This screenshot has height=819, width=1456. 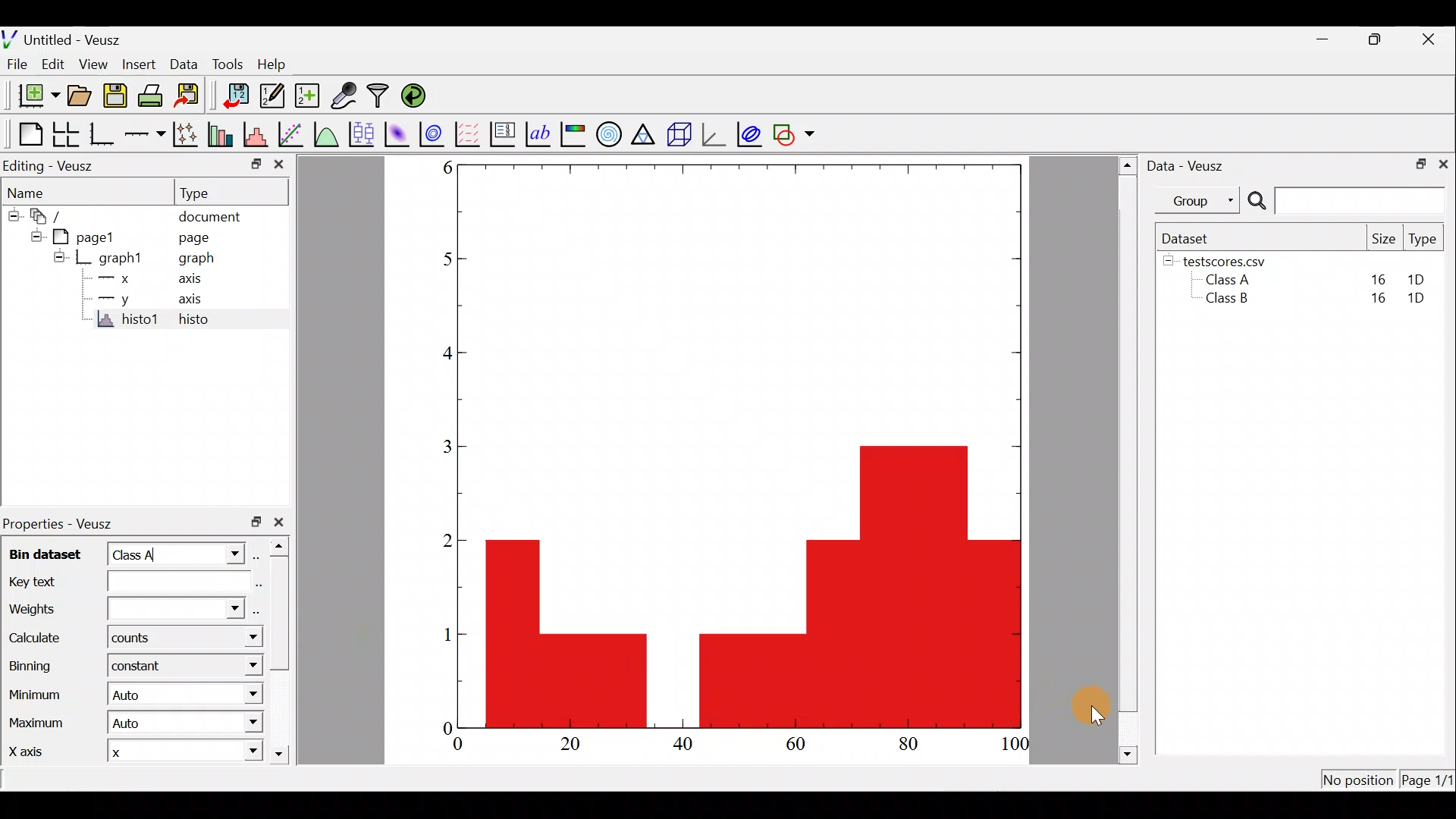 I want to click on counts, so click(x=133, y=641).